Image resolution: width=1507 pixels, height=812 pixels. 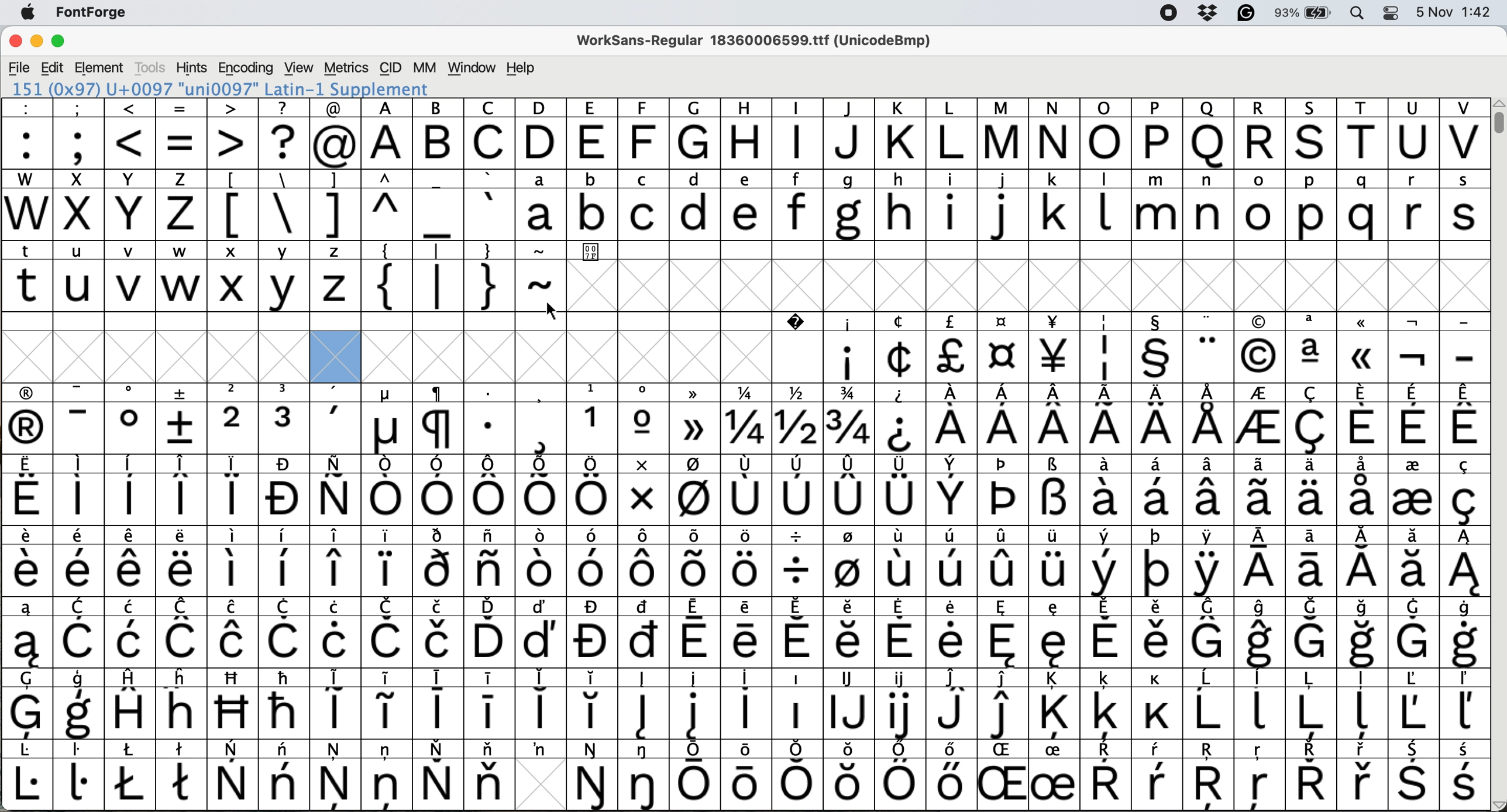 I want to click on symbol, so click(x=80, y=562).